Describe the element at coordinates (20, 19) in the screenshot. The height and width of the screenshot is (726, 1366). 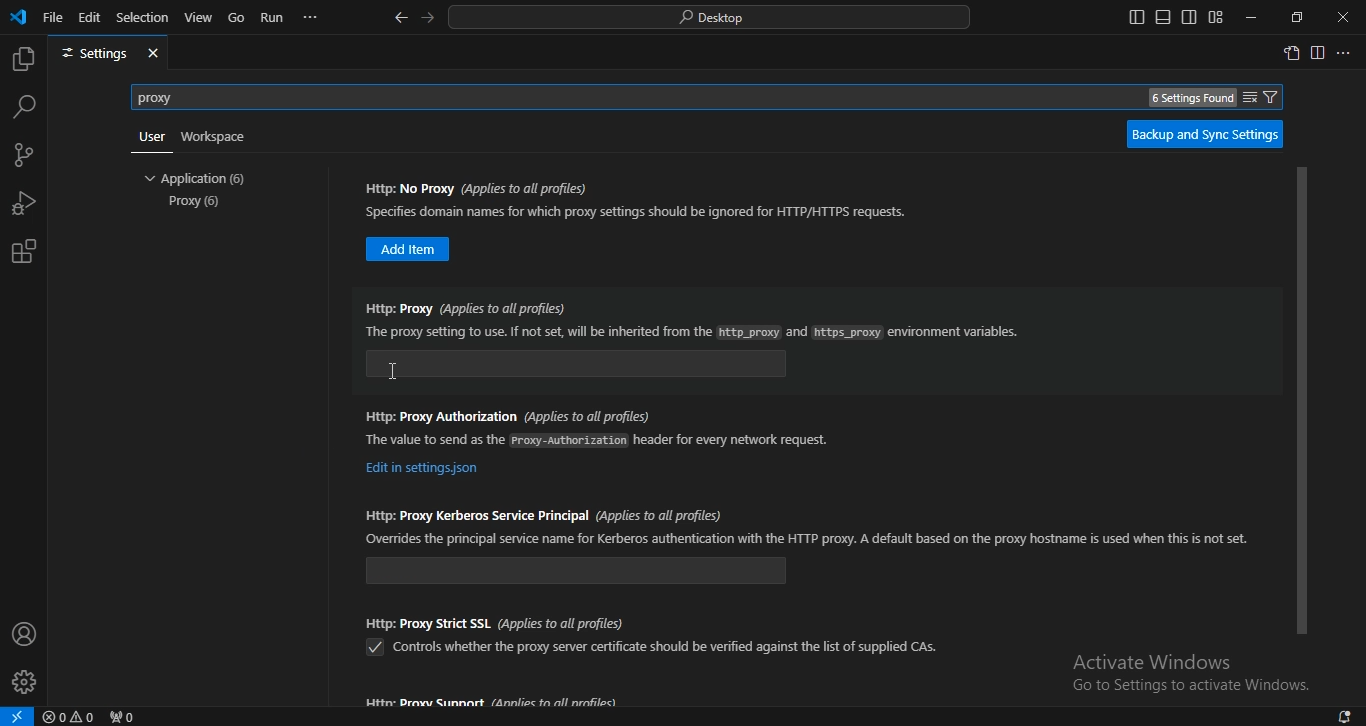
I see `icon` at that location.